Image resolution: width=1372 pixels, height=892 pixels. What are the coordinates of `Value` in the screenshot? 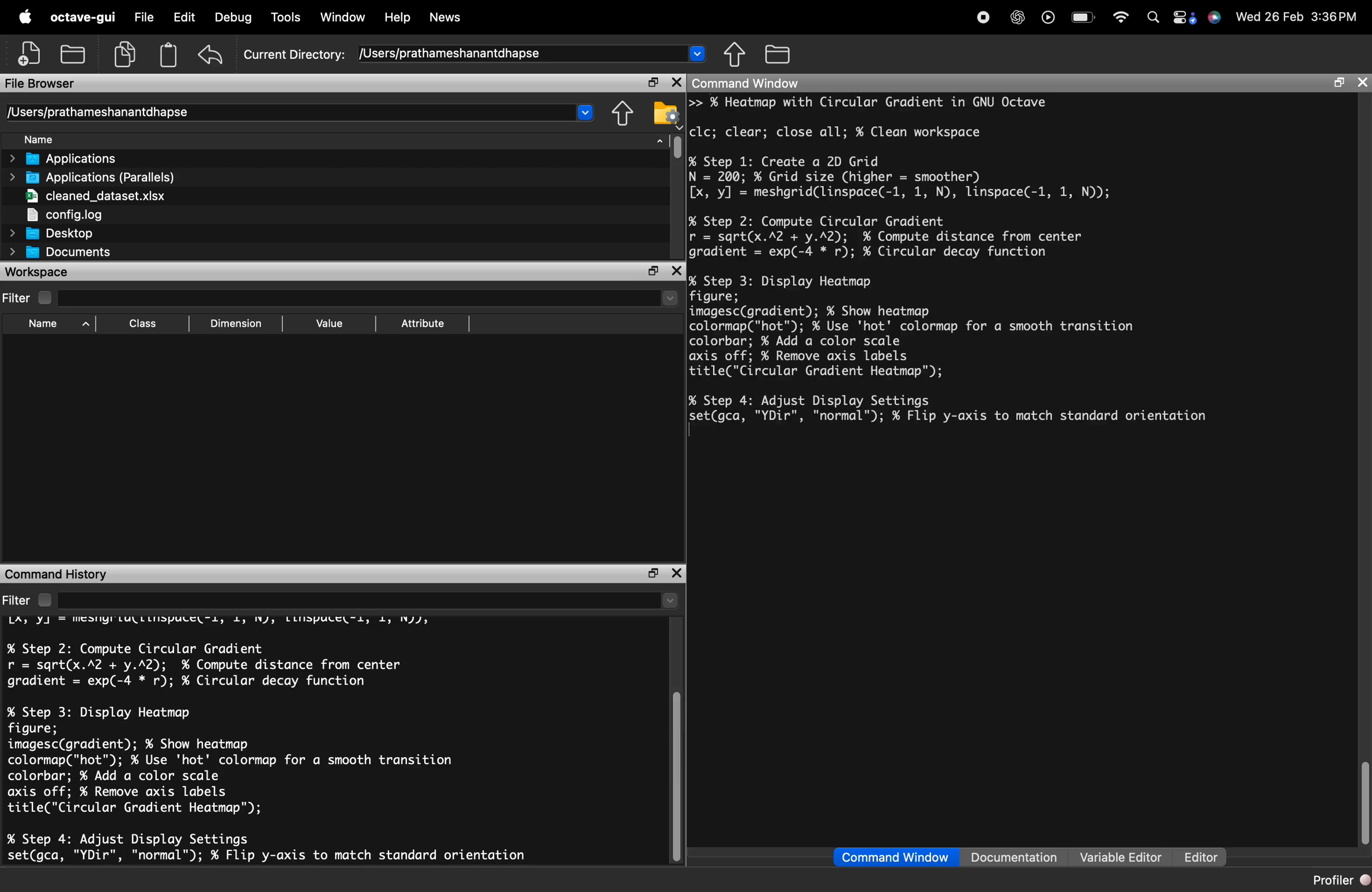 It's located at (326, 326).